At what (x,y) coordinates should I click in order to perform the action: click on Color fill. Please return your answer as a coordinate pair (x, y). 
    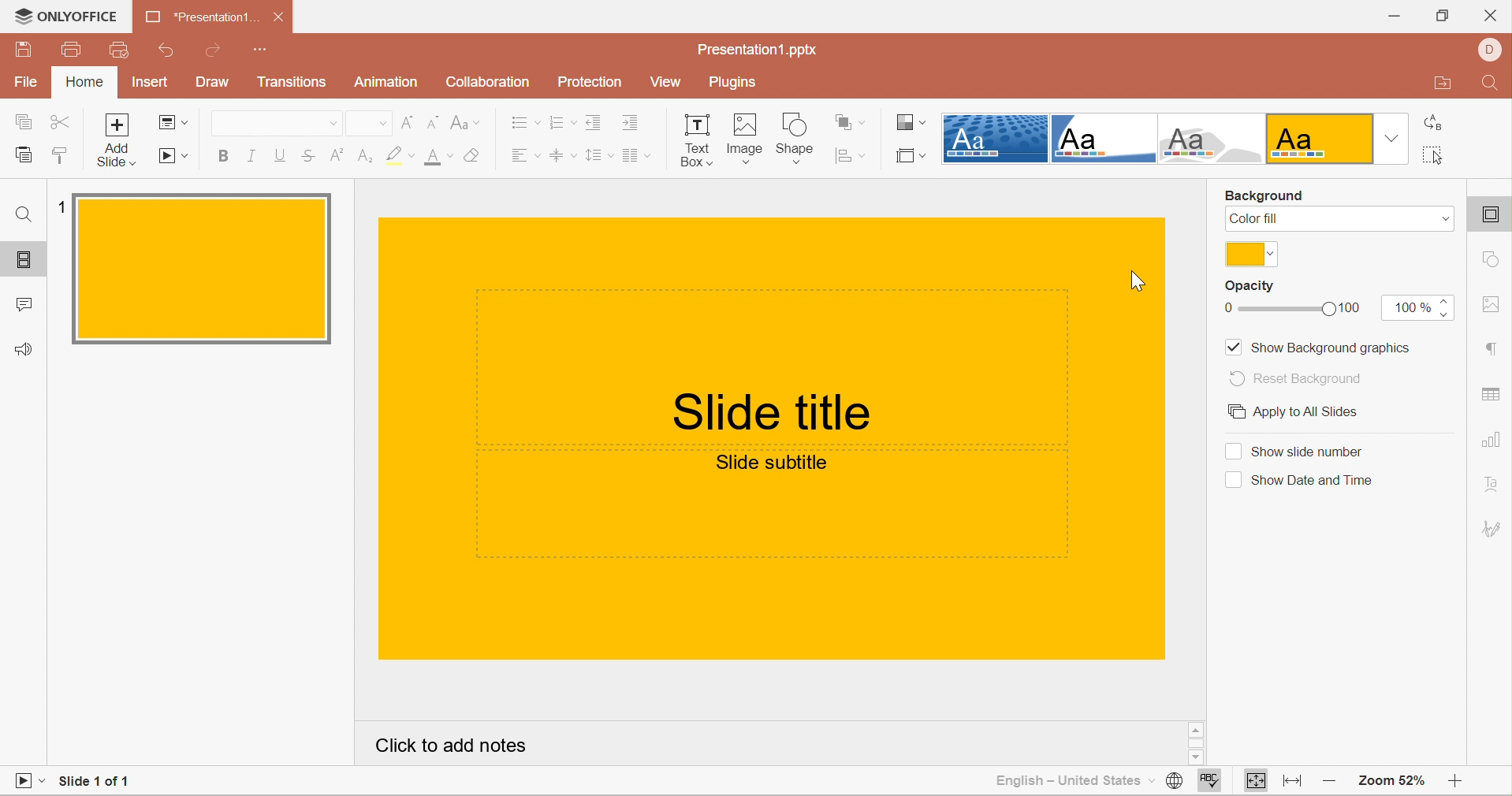
    Looking at the image, I should click on (1256, 221).